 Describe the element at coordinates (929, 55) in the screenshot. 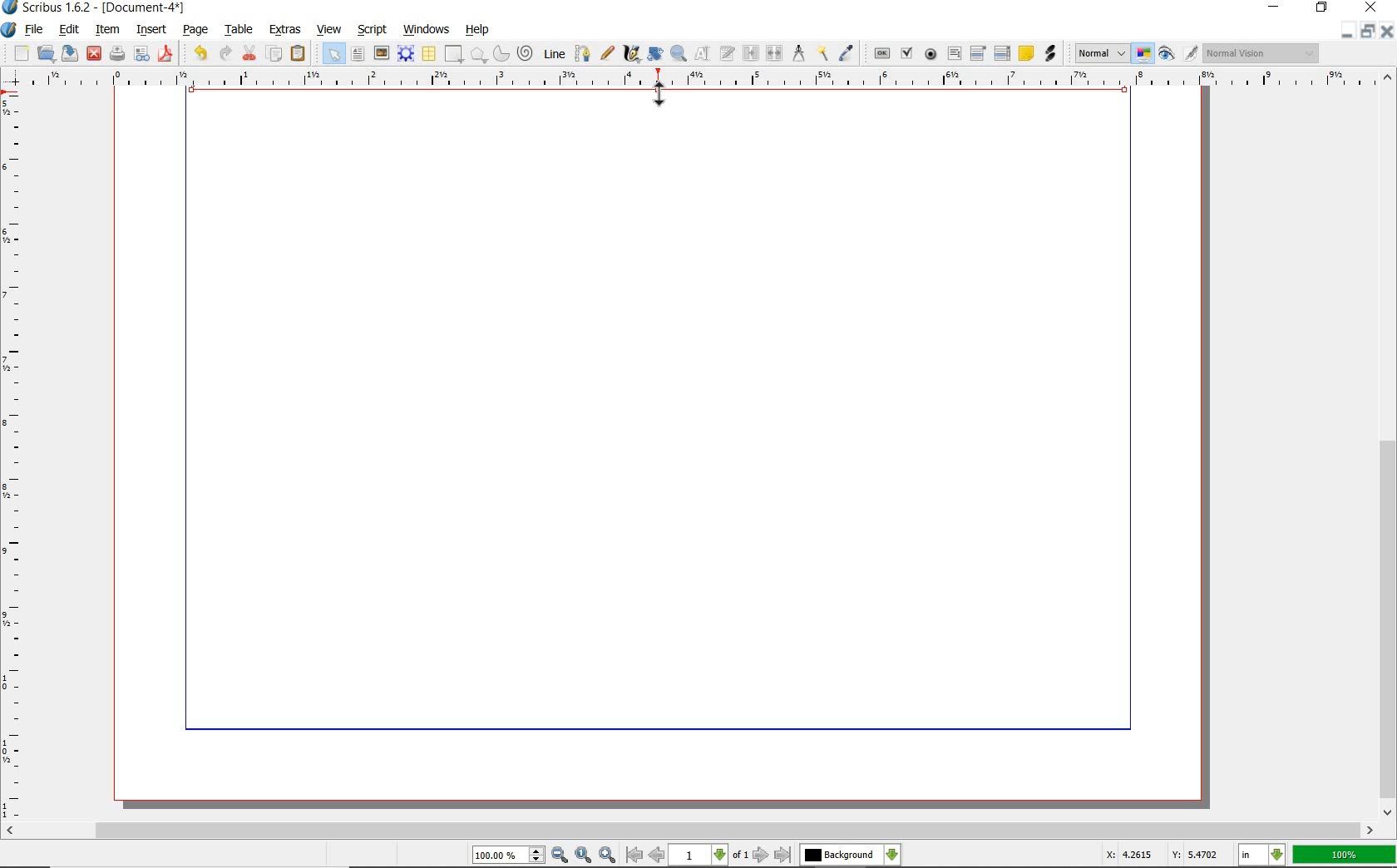

I see `pdf radio button` at that location.